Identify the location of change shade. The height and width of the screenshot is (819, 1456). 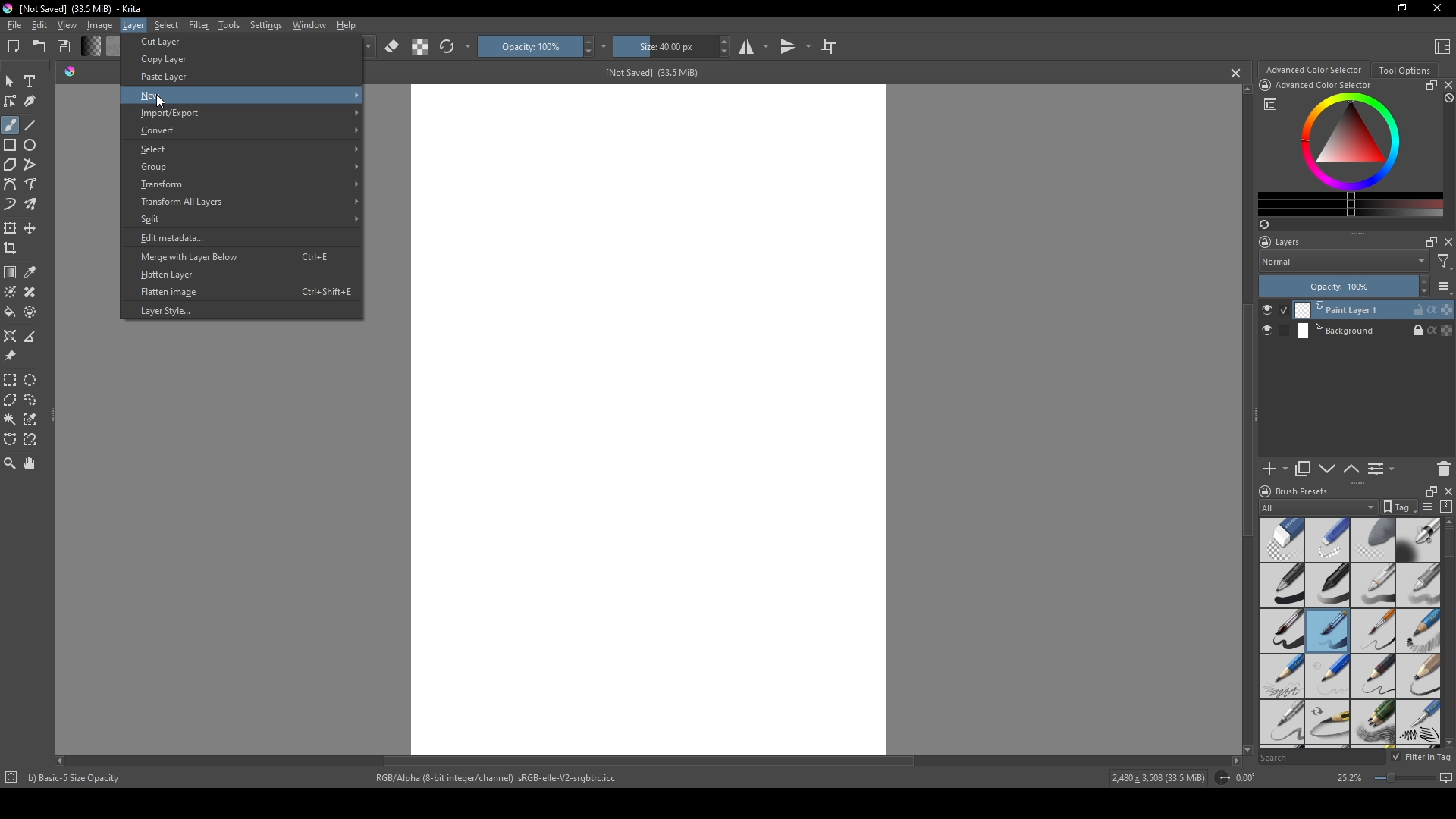
(90, 46).